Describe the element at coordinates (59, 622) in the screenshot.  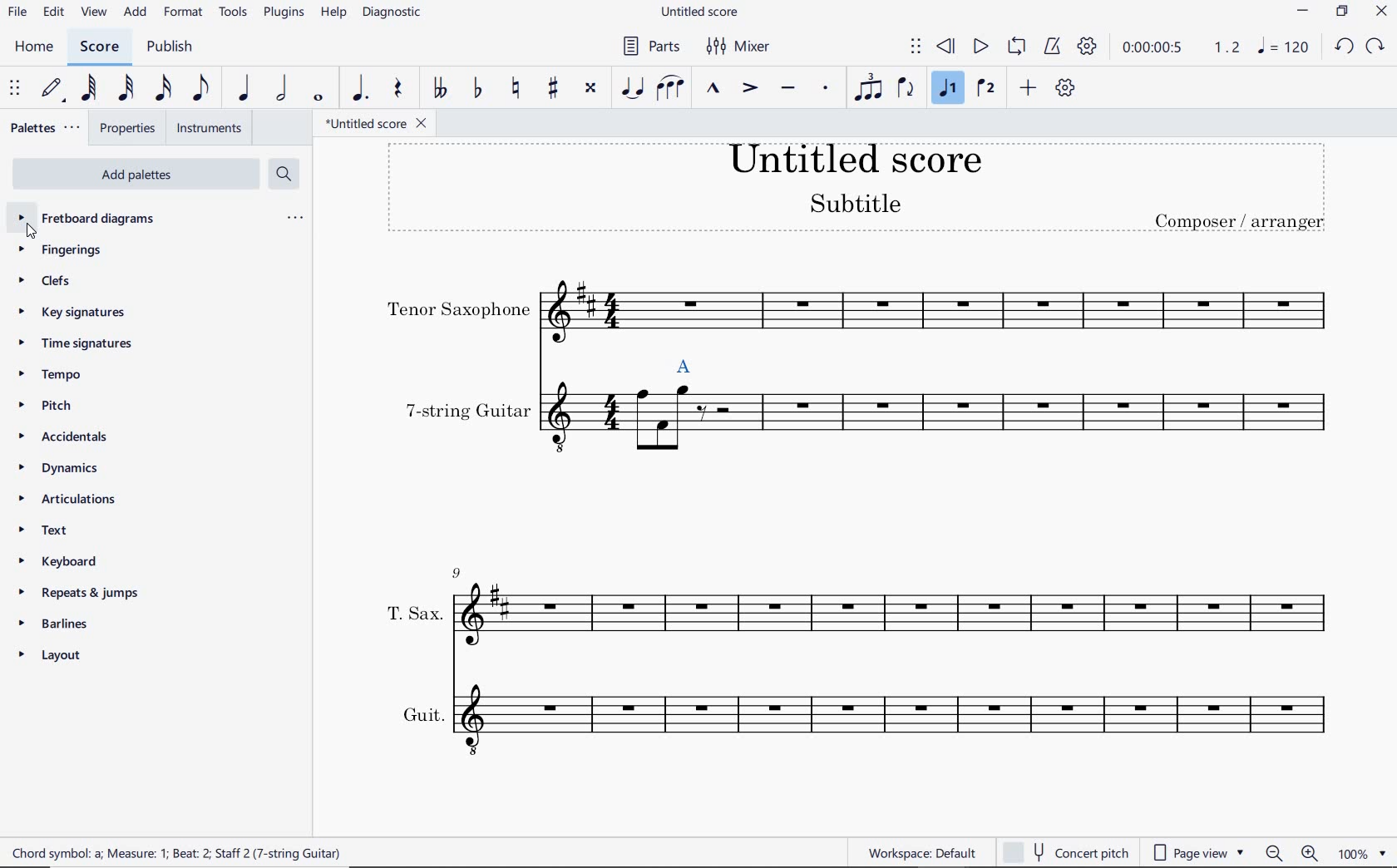
I see `BARLINES` at that location.